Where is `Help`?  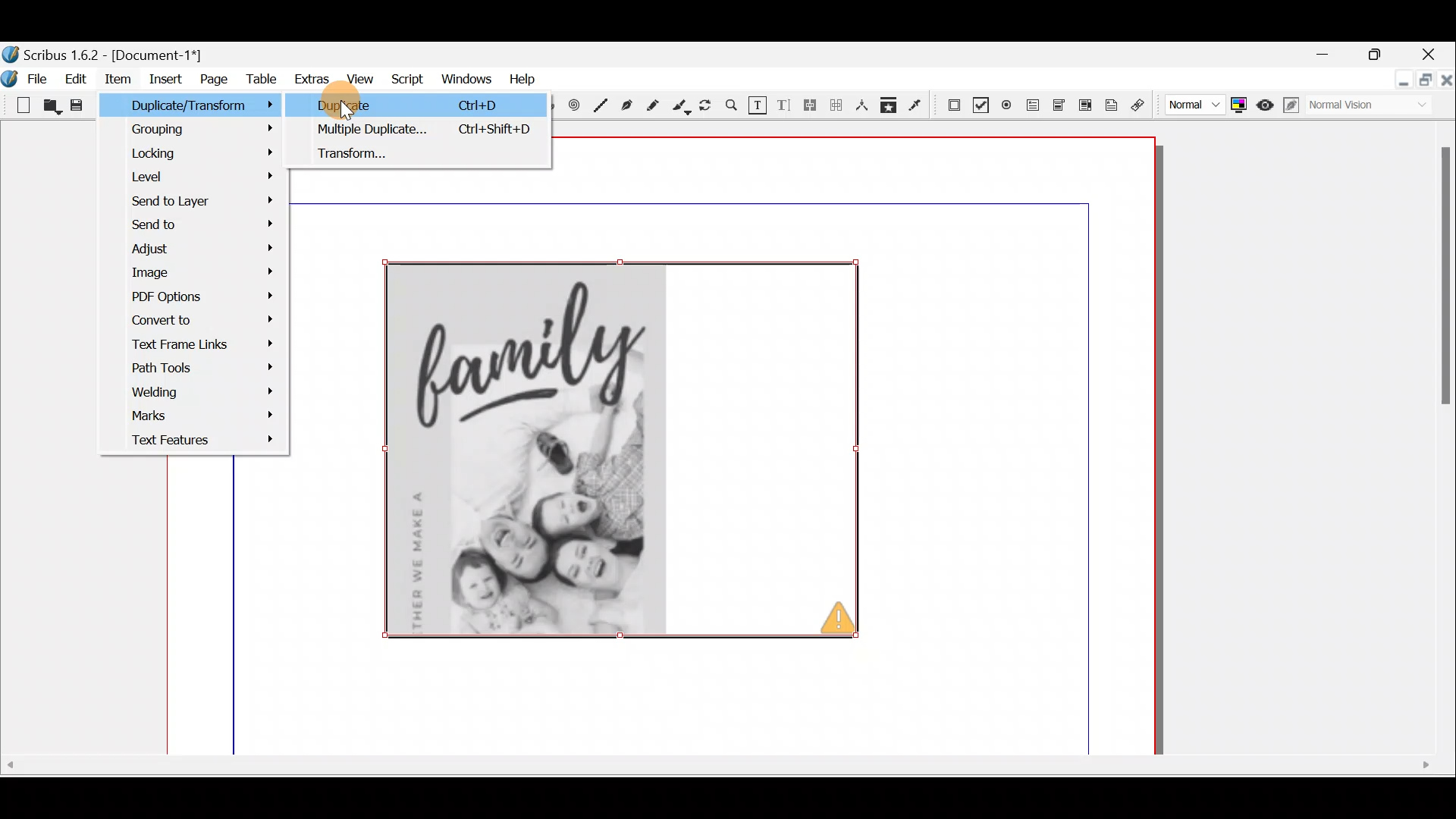 Help is located at coordinates (519, 79).